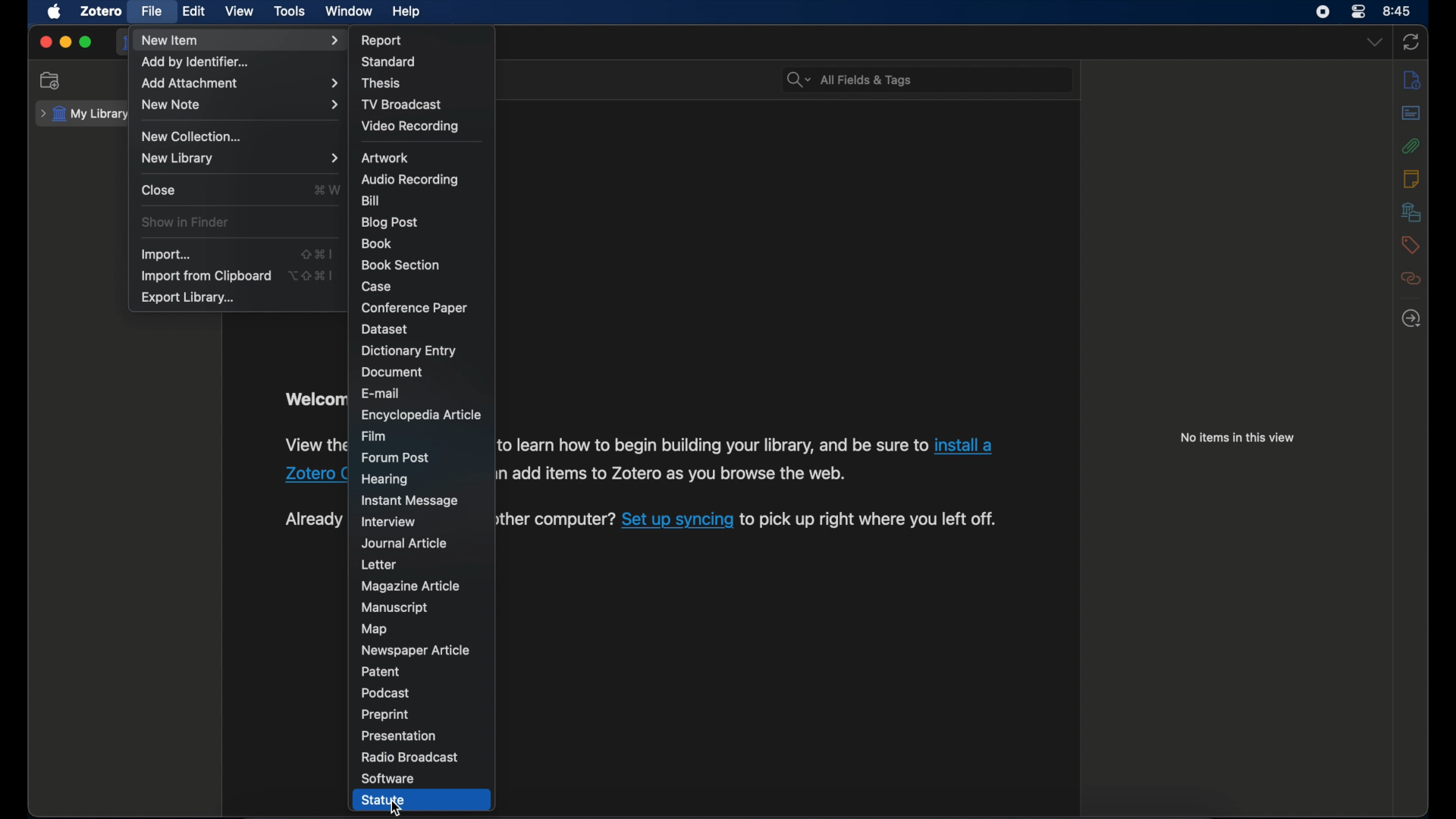 This screenshot has width=1456, height=819. What do you see at coordinates (376, 629) in the screenshot?
I see `map` at bounding box center [376, 629].